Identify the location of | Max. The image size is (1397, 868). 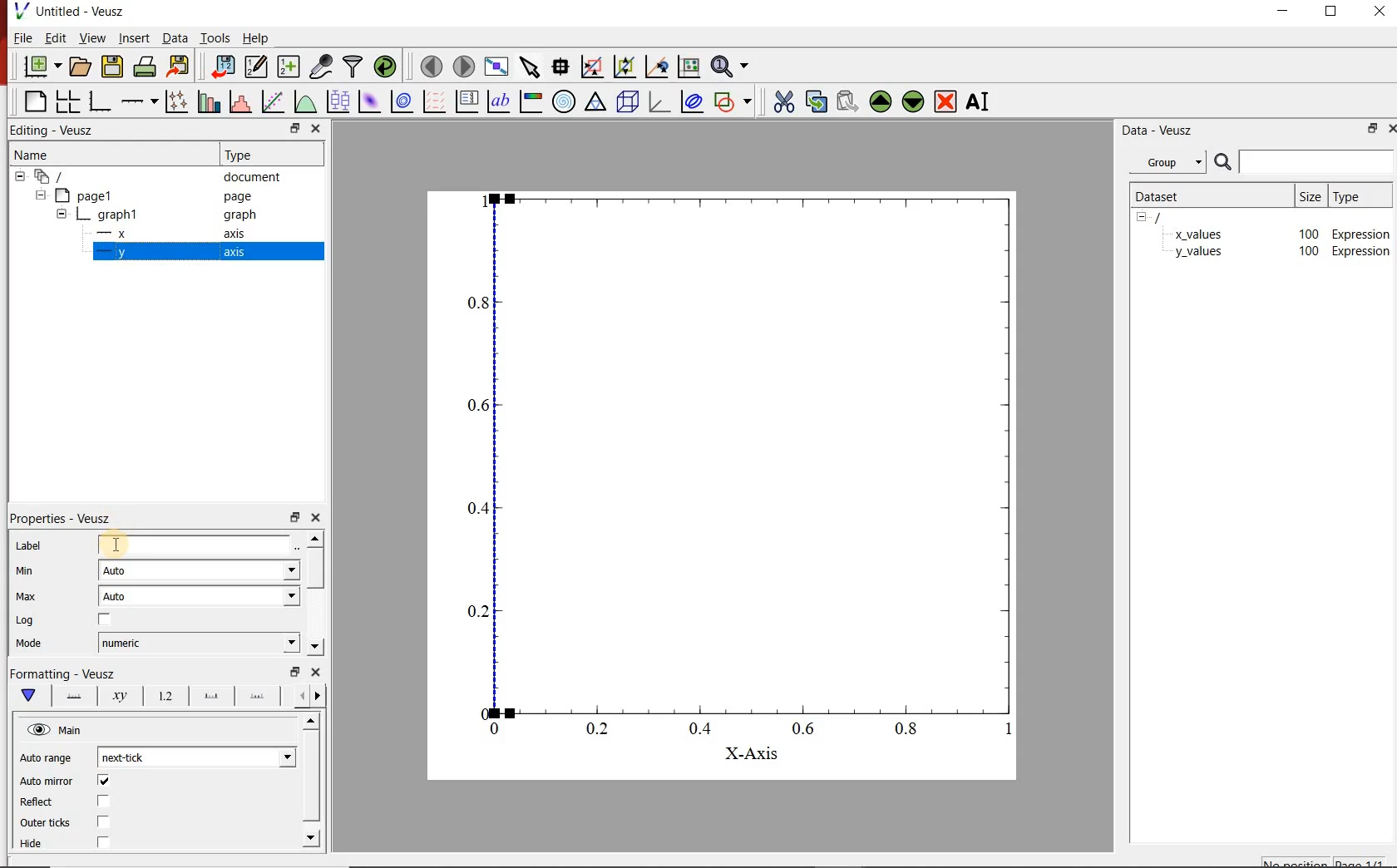
(27, 599).